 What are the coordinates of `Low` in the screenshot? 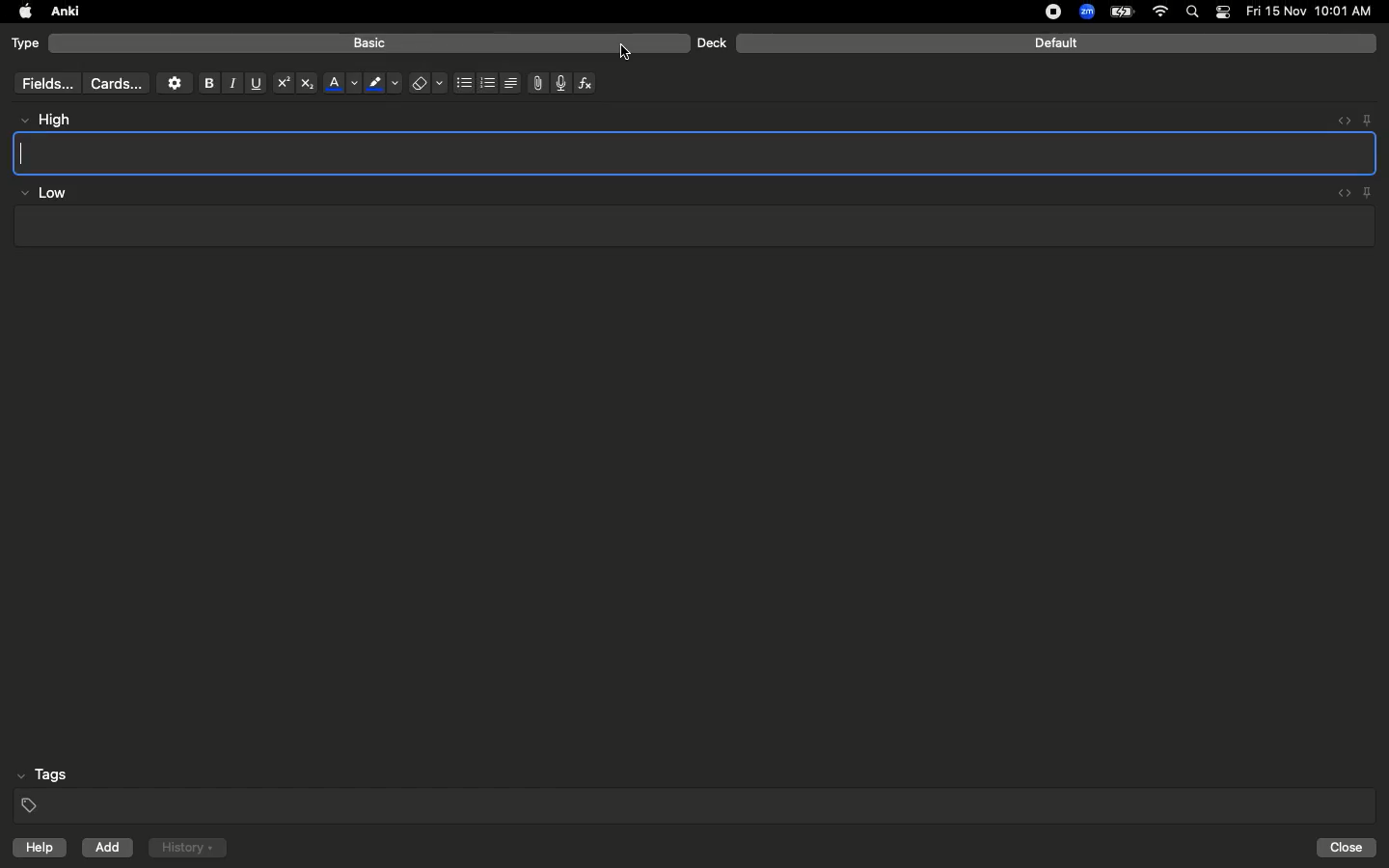 It's located at (44, 194).